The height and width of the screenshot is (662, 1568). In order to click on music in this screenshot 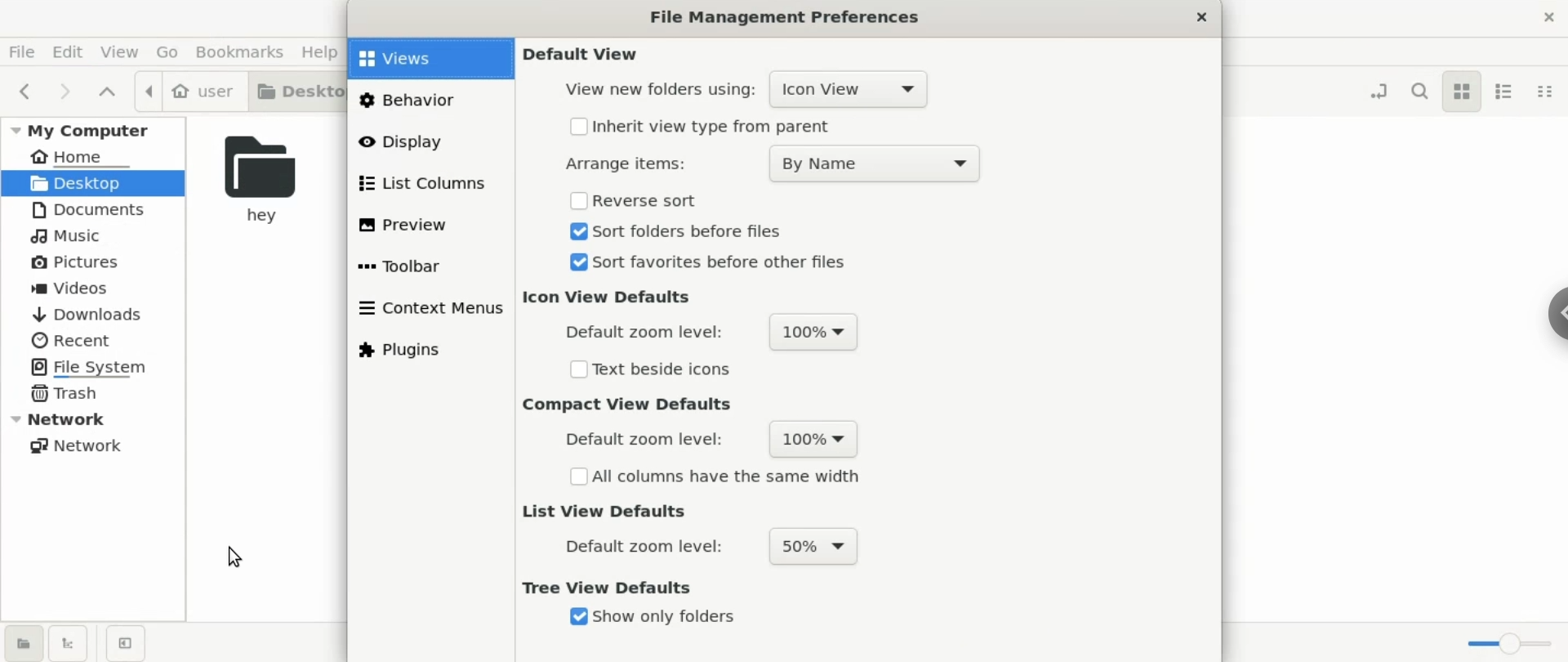, I will do `click(67, 237)`.